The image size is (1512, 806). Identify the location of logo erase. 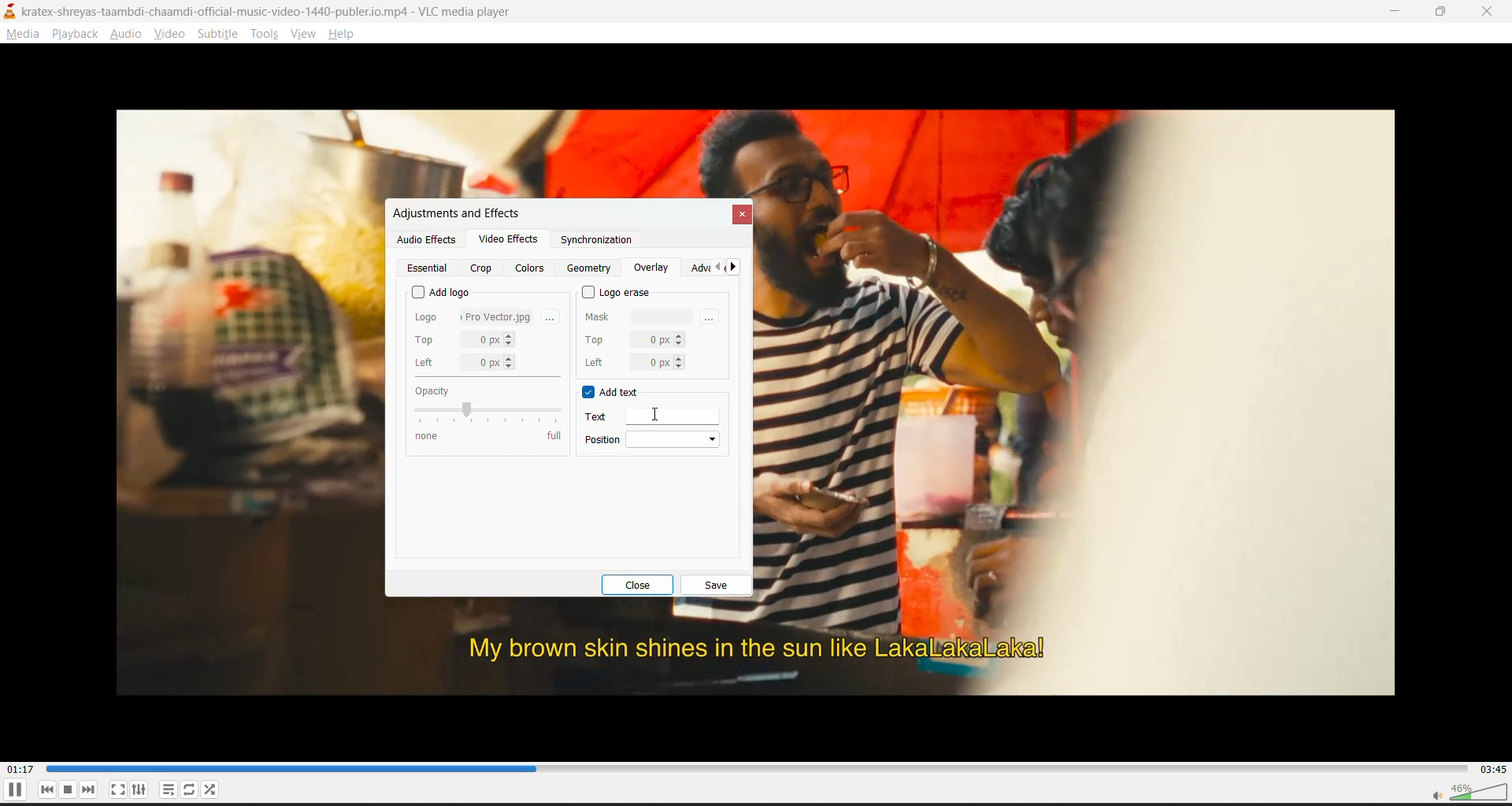
(618, 292).